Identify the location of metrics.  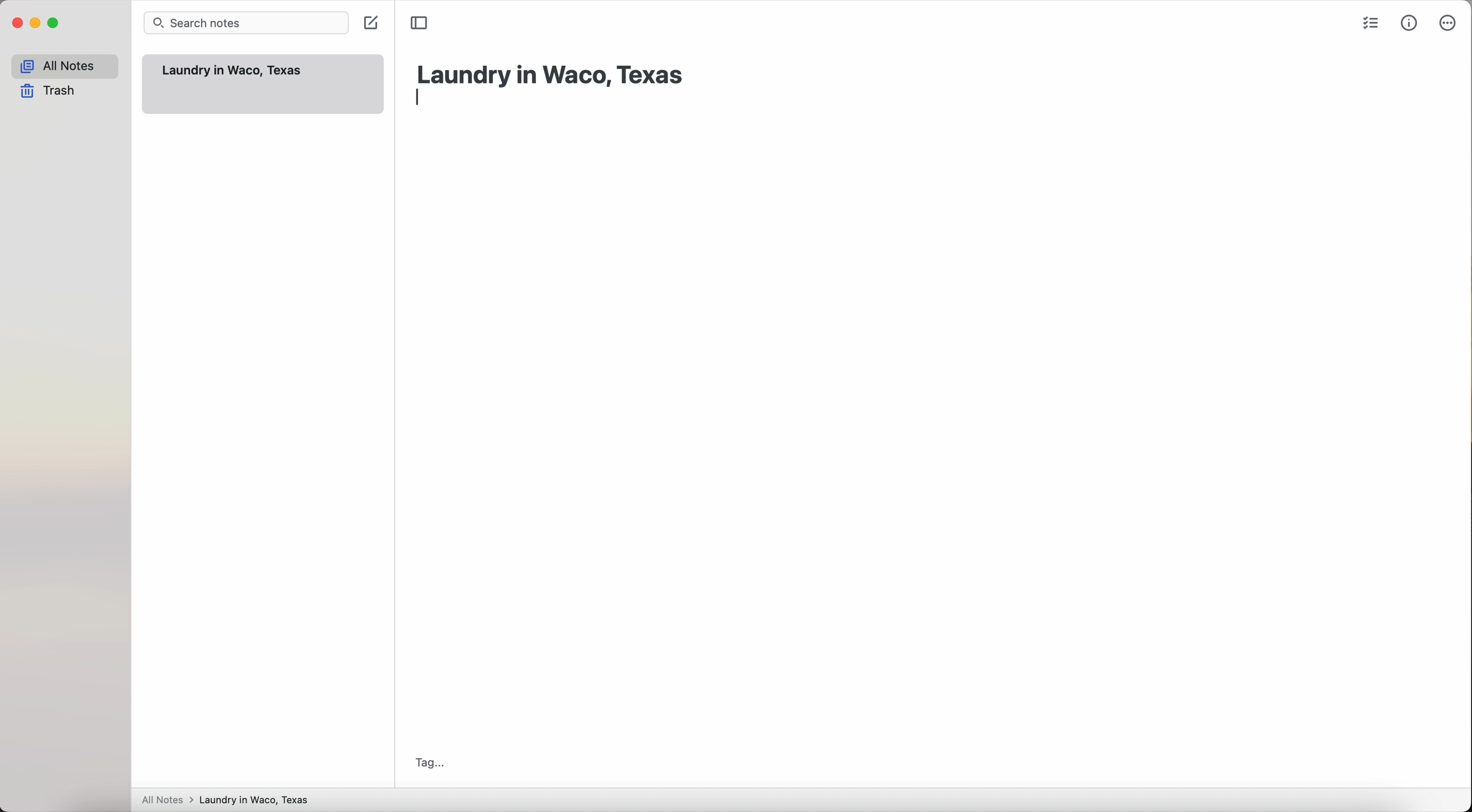
(1410, 22).